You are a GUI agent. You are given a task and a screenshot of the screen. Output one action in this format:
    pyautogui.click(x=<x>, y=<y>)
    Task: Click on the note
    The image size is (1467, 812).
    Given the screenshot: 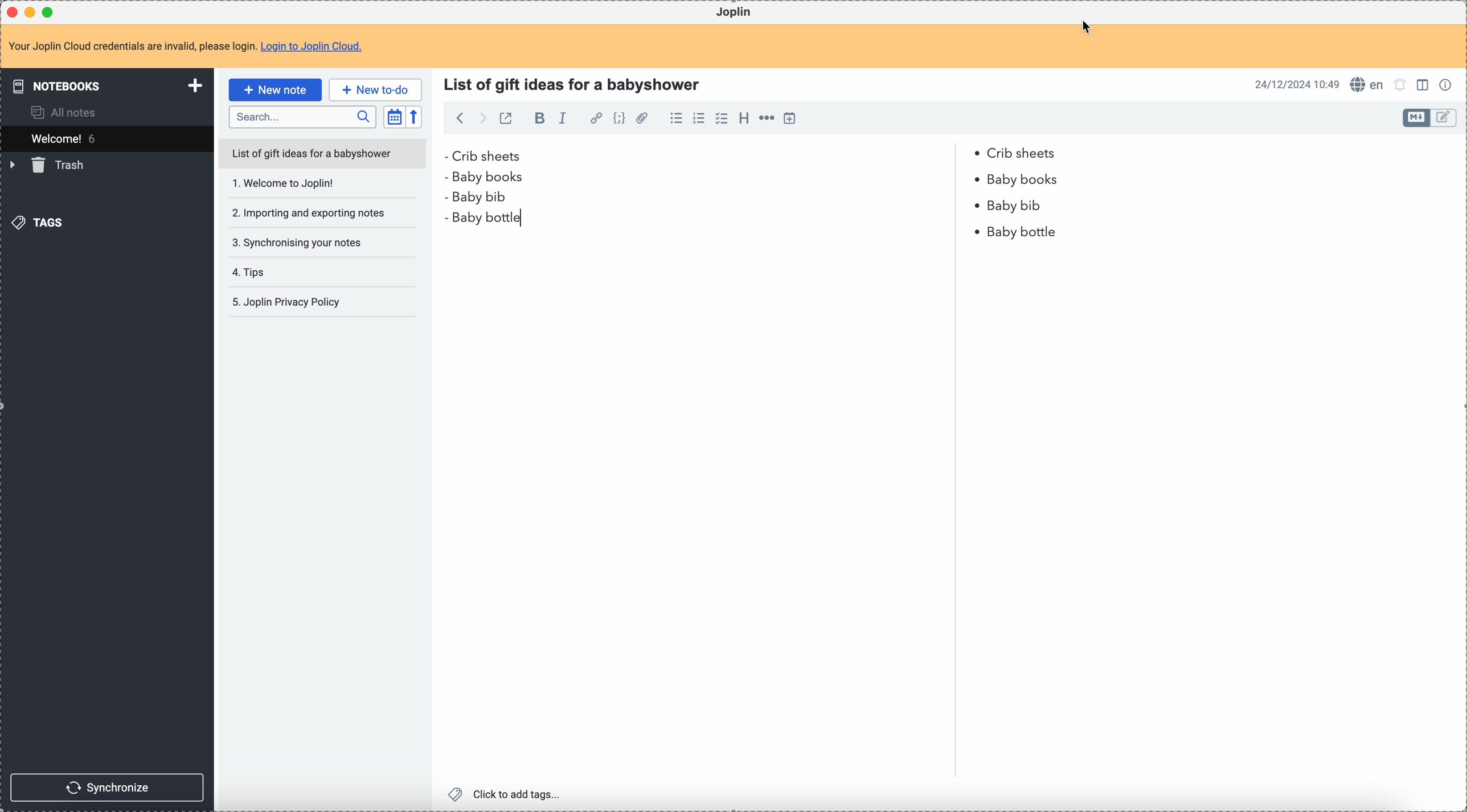 What is the action you would take?
    pyautogui.click(x=185, y=46)
    